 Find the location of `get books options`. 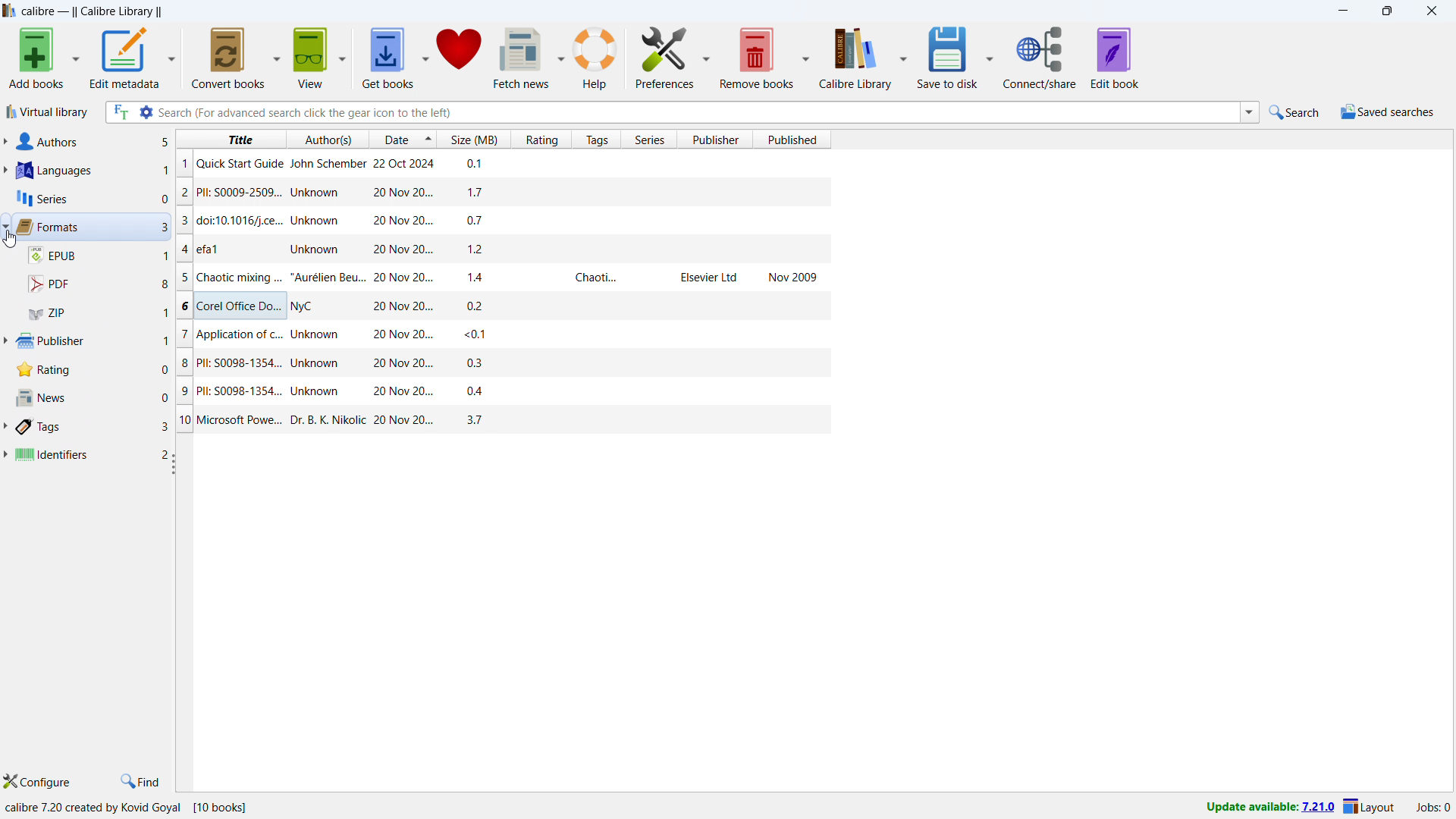

get books options is located at coordinates (427, 56).